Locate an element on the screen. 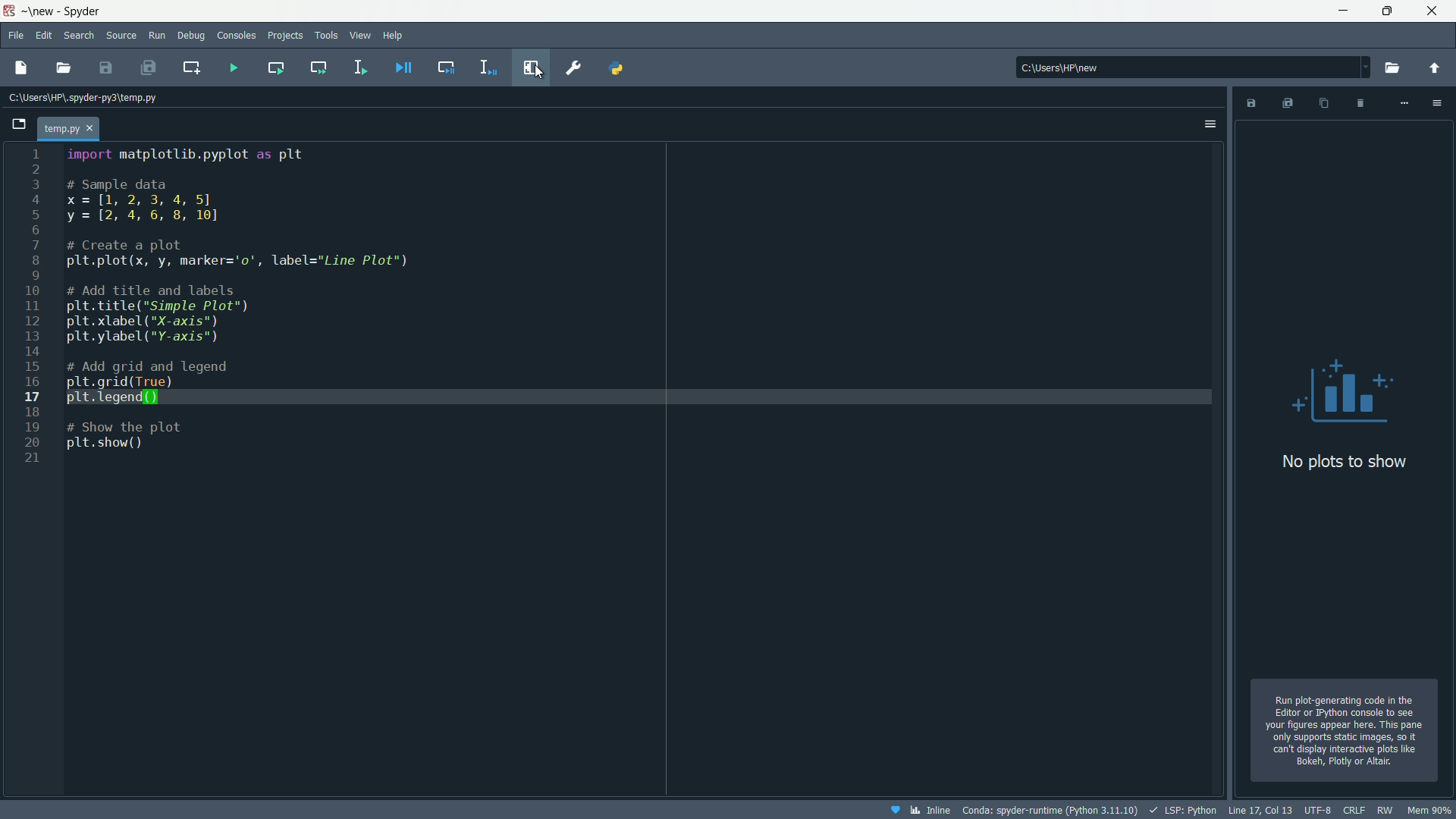 This screenshot has height=819, width=1456. memory usage is located at coordinates (1429, 810).